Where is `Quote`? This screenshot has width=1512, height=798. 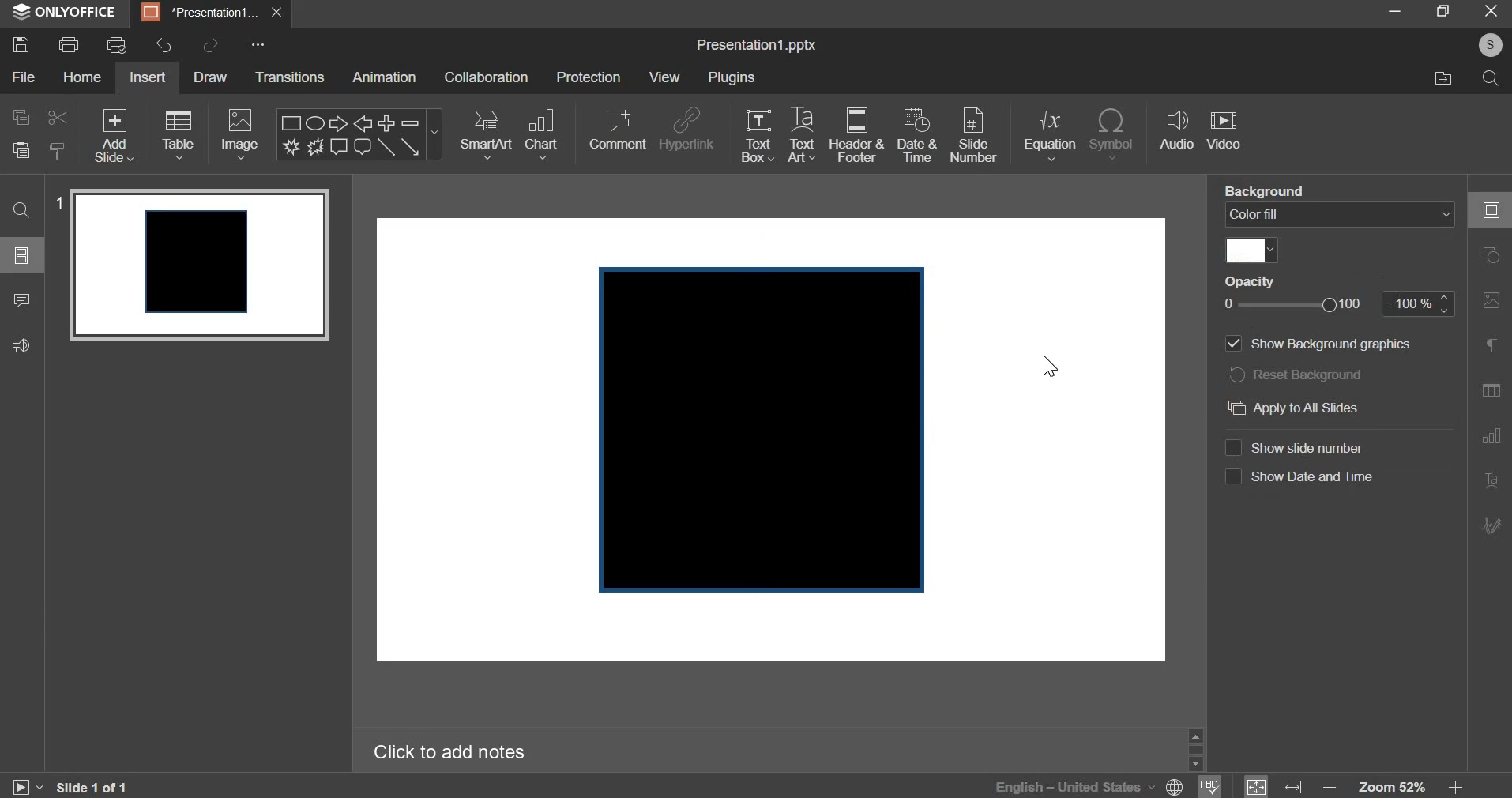 Quote is located at coordinates (1489, 347).